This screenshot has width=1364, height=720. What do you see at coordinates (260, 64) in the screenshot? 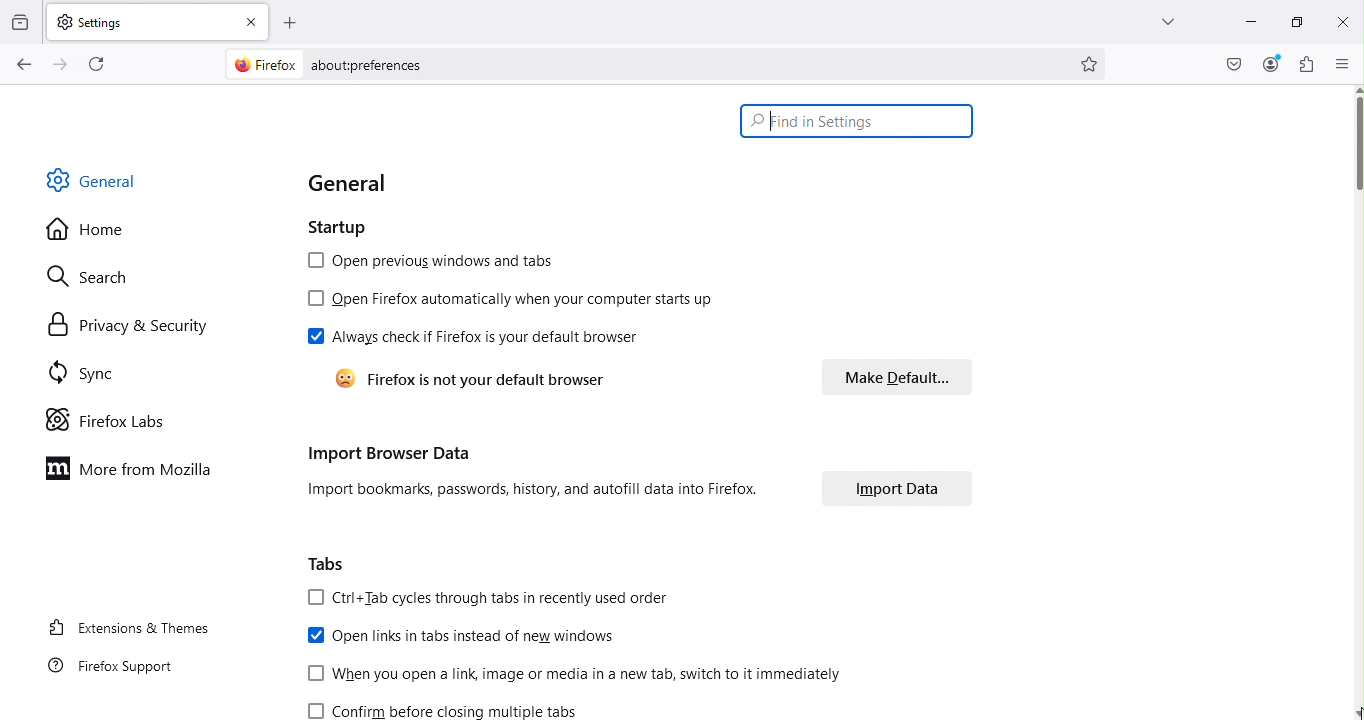
I see `firefox logo` at bounding box center [260, 64].